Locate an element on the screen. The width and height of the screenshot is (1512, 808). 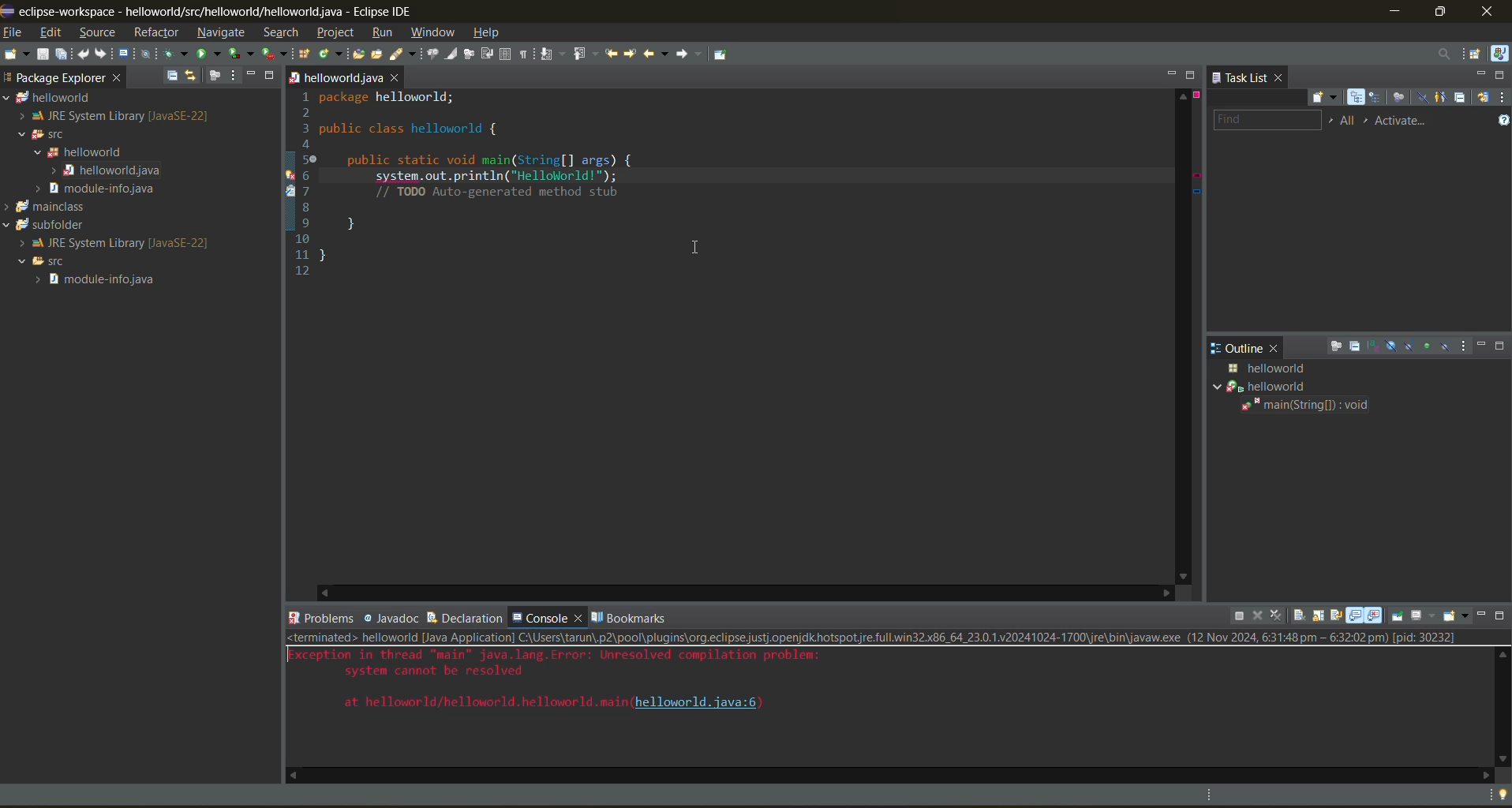
view menu is located at coordinates (235, 74).